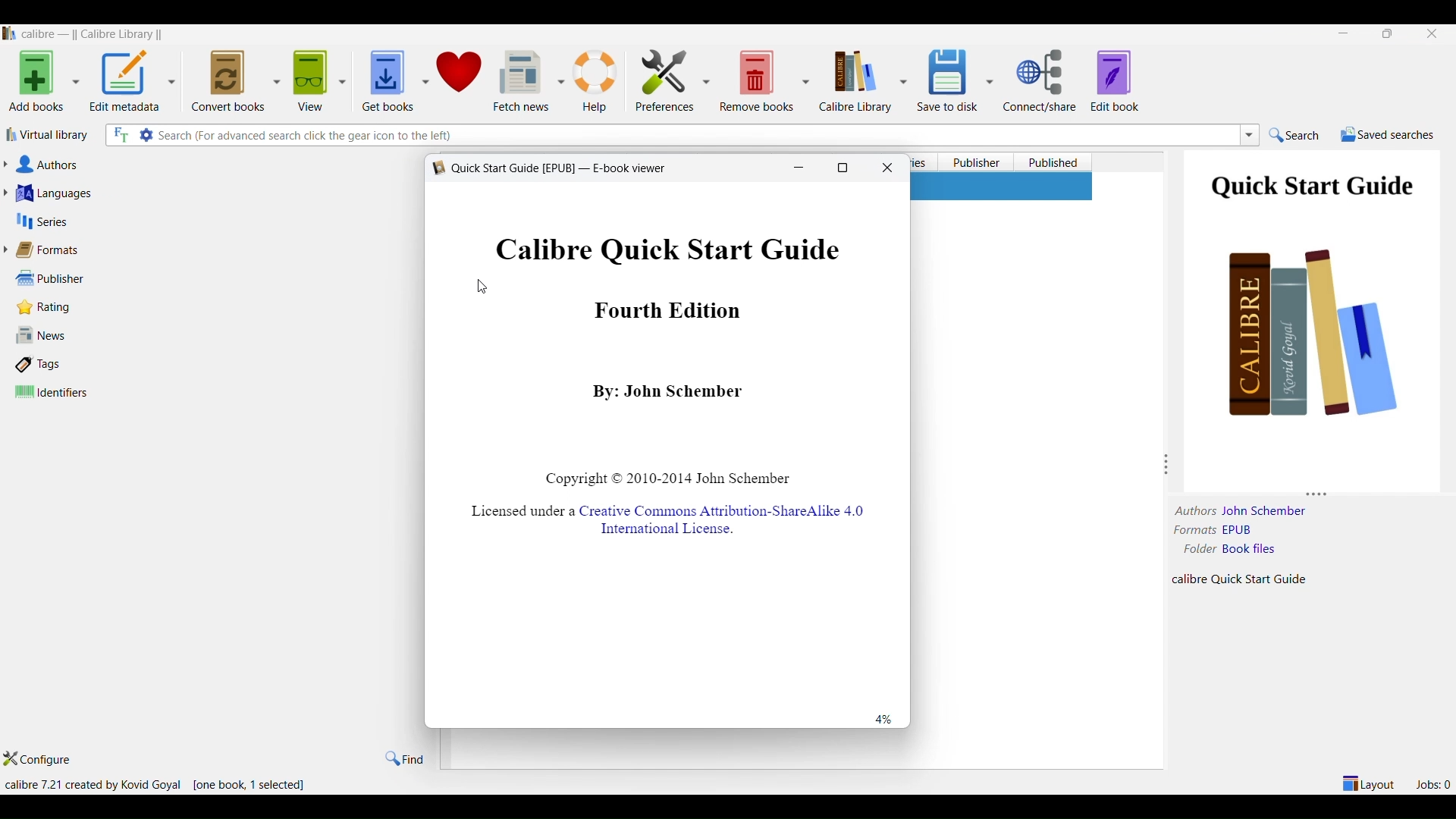 This screenshot has height=819, width=1456. I want to click on convert books, so click(224, 80).